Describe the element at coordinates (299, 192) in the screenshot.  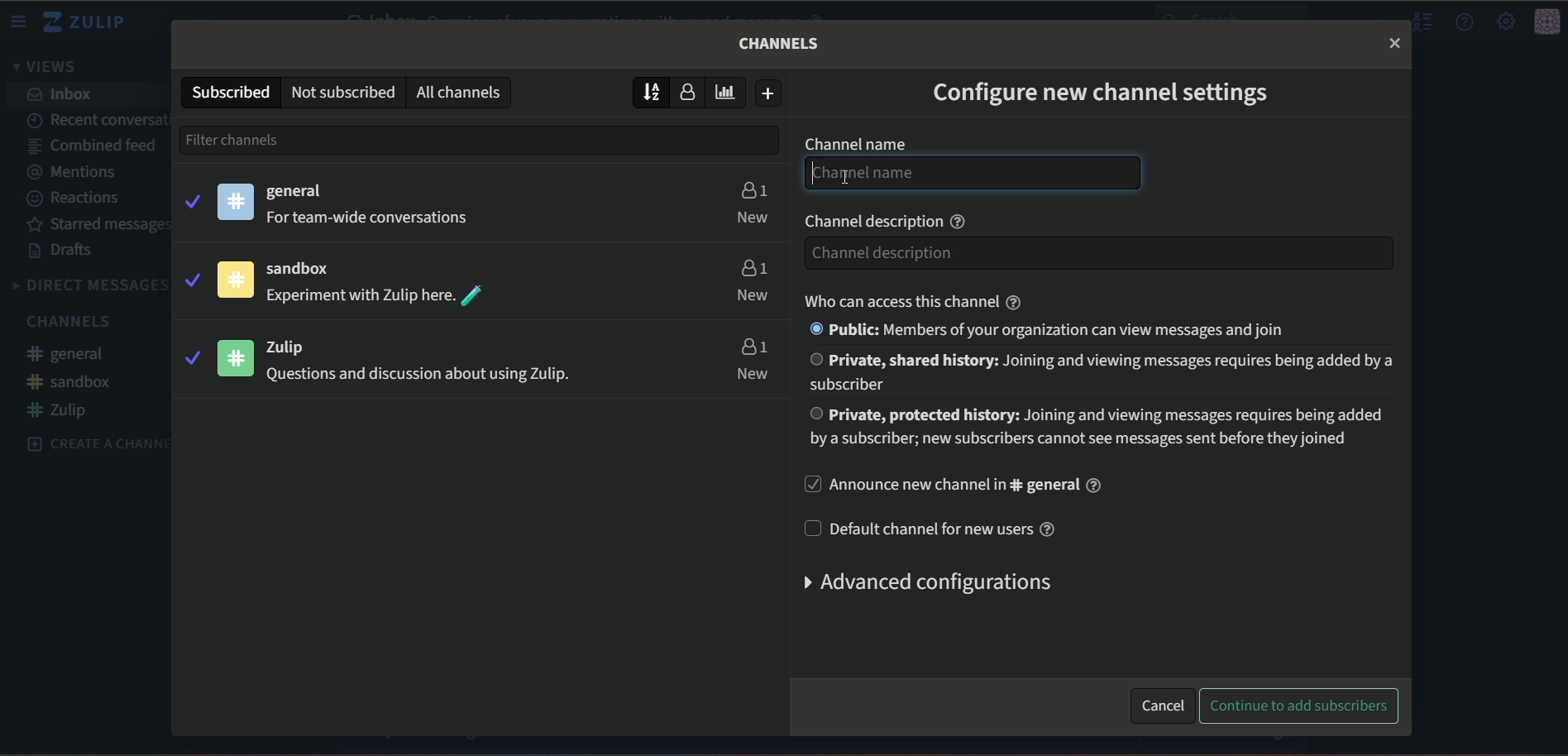
I see `general` at that location.